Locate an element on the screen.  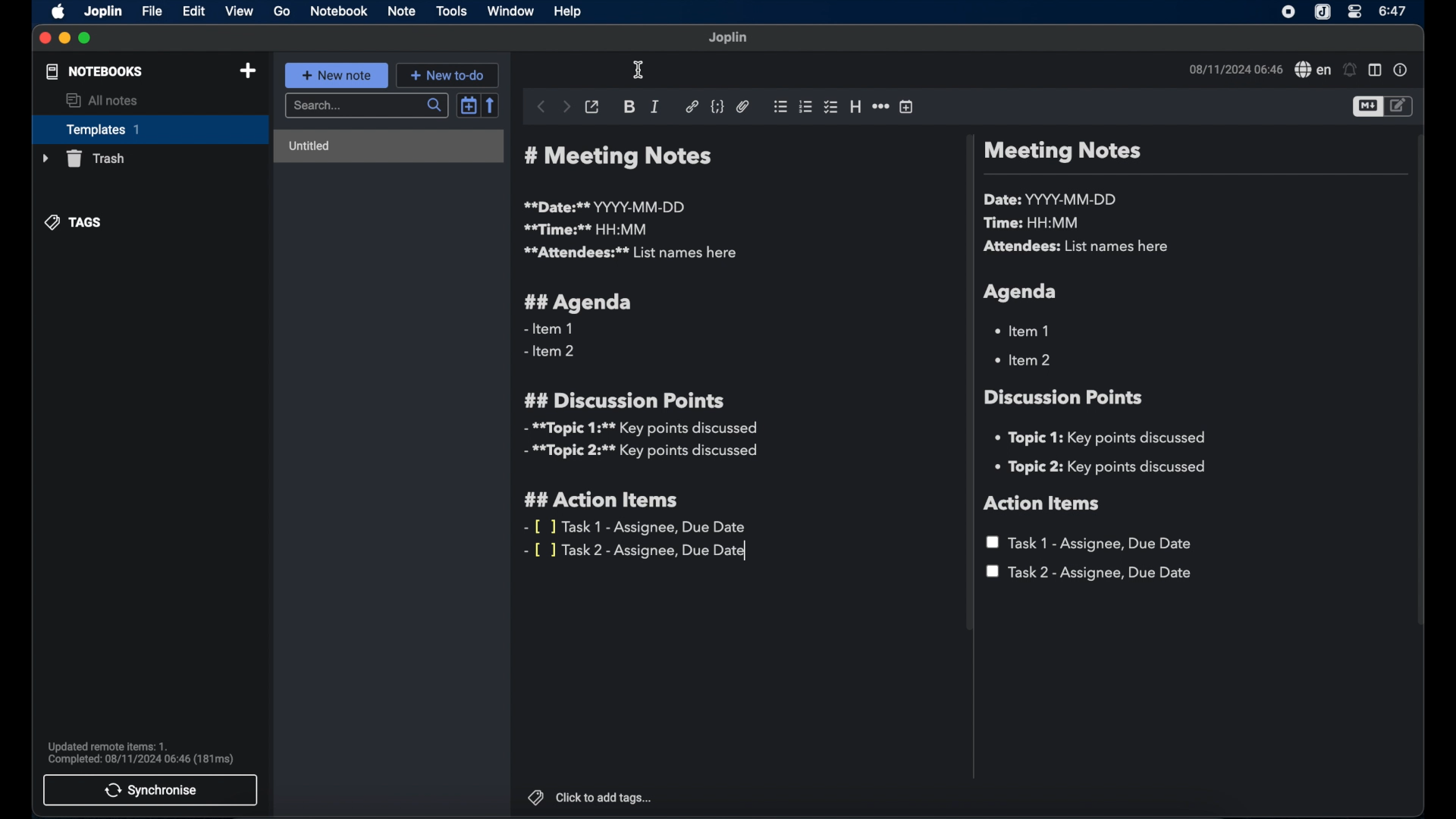
- **topic 1:** key points discussed is located at coordinates (639, 428).